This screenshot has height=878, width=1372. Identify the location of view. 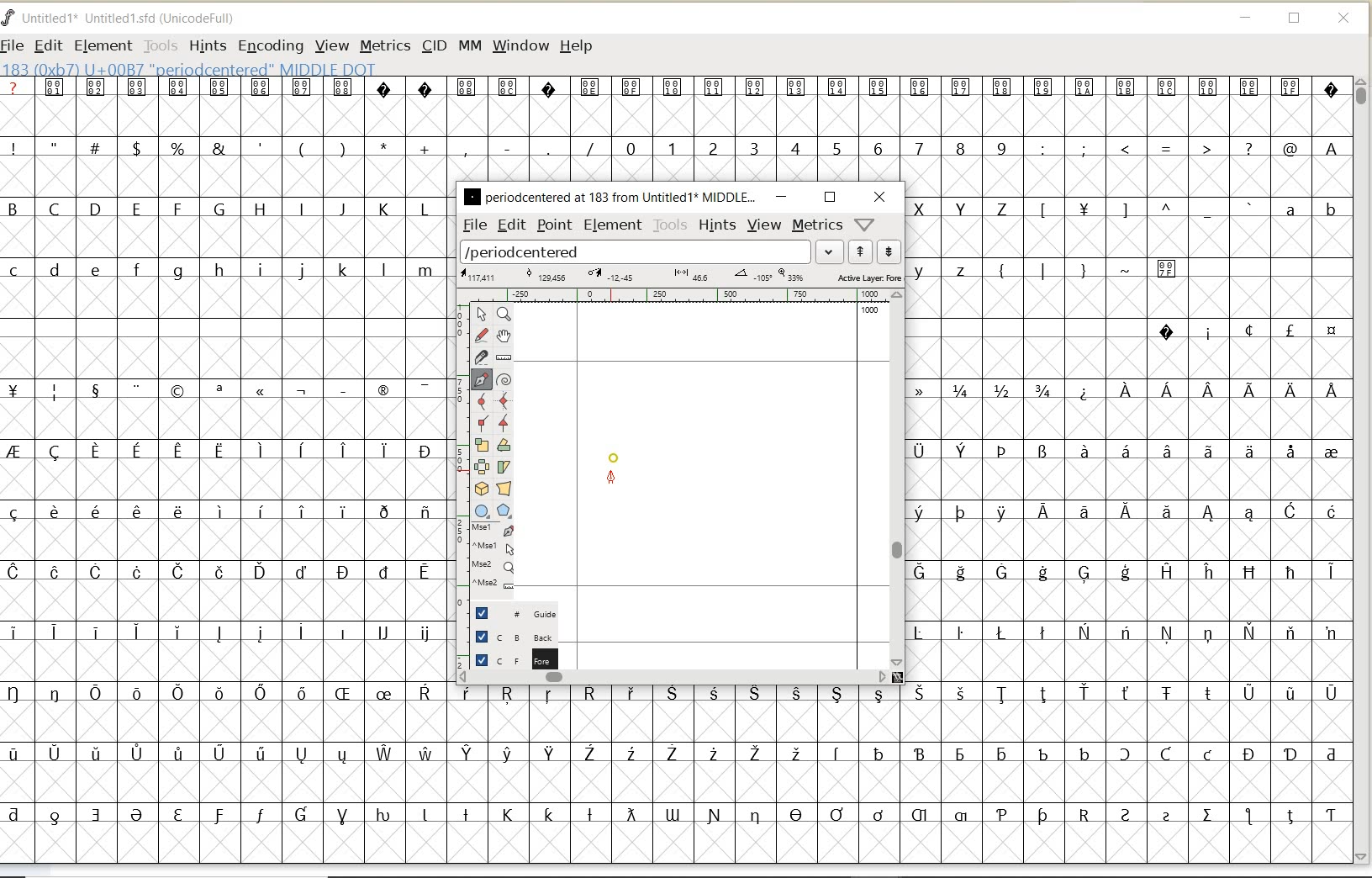
(765, 225).